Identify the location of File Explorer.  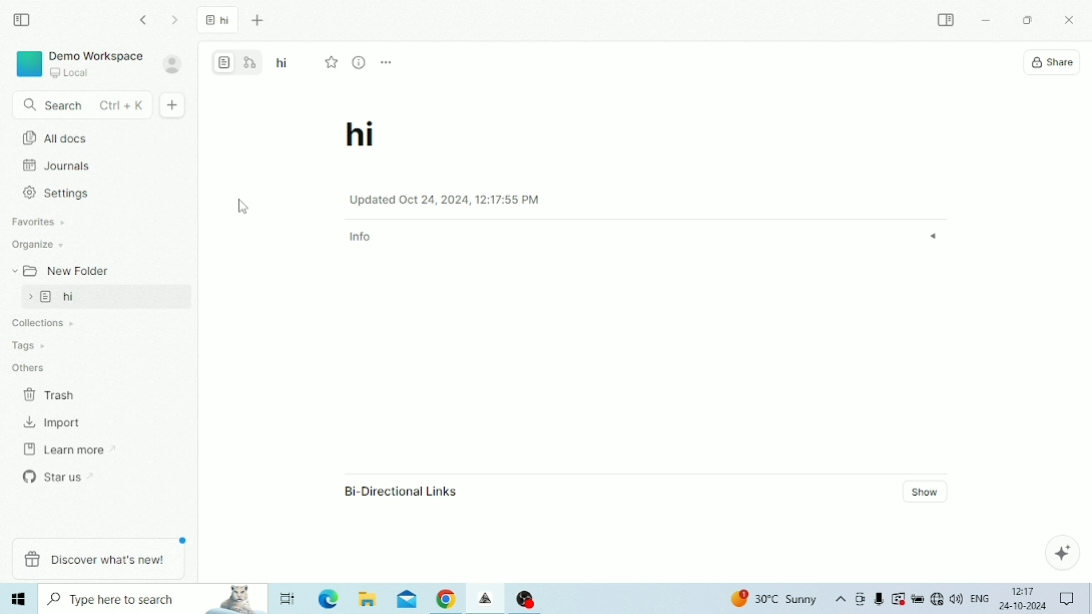
(368, 599).